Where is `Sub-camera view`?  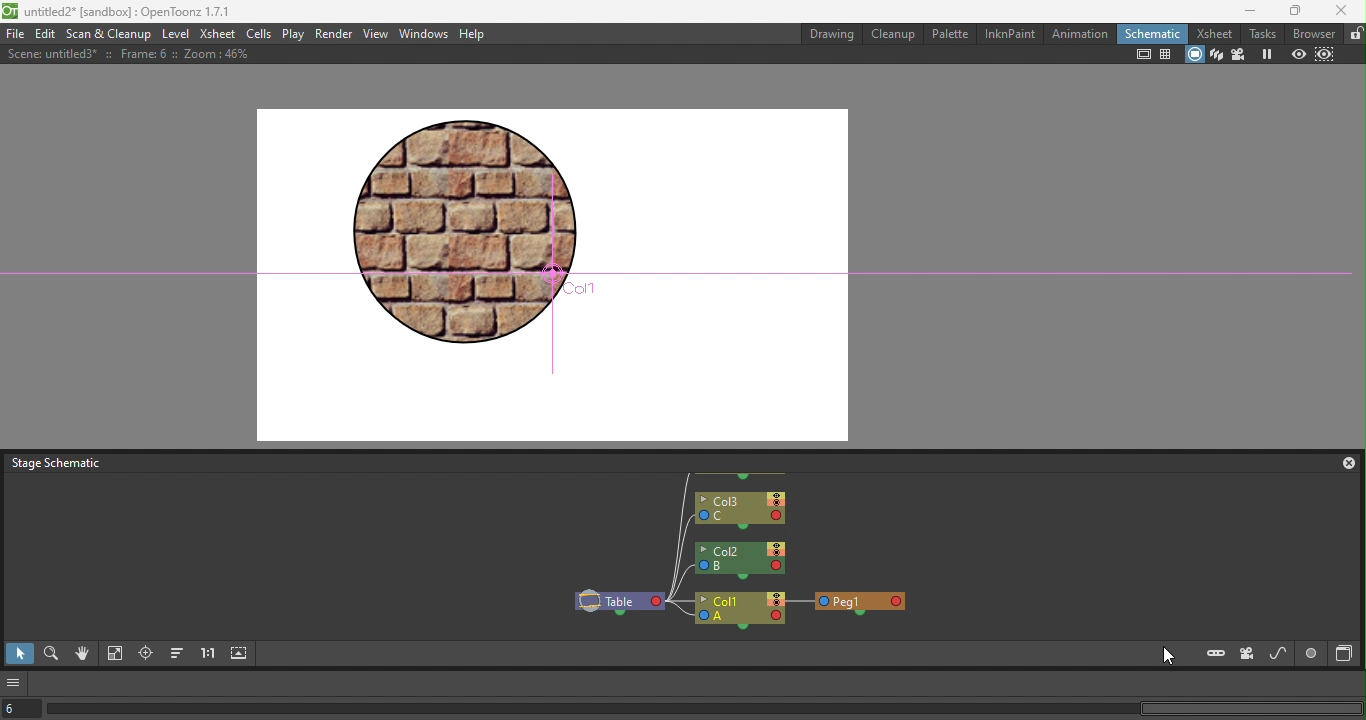
Sub-camera view is located at coordinates (1327, 55).